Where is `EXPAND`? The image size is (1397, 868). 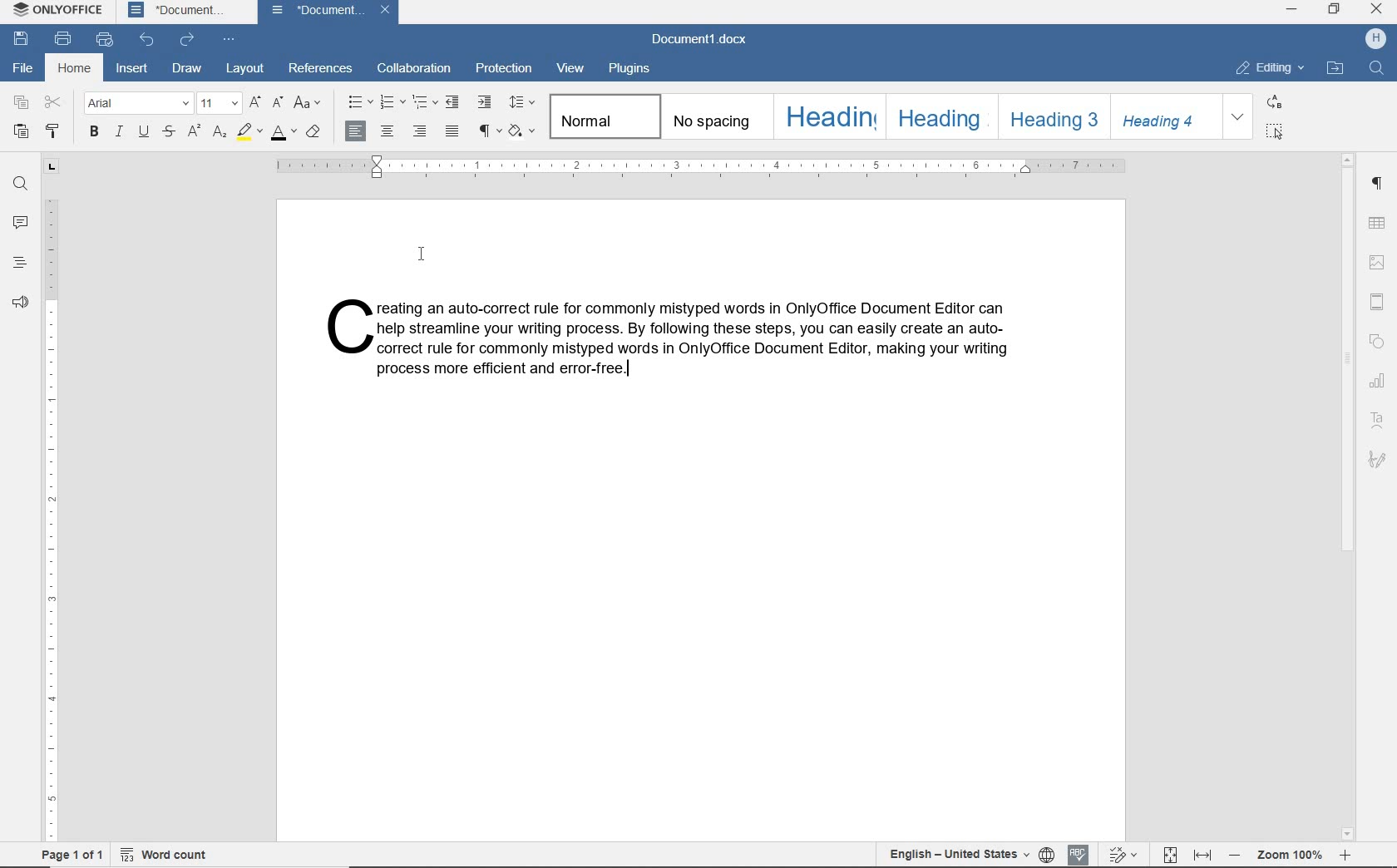
EXPAND is located at coordinates (1237, 117).